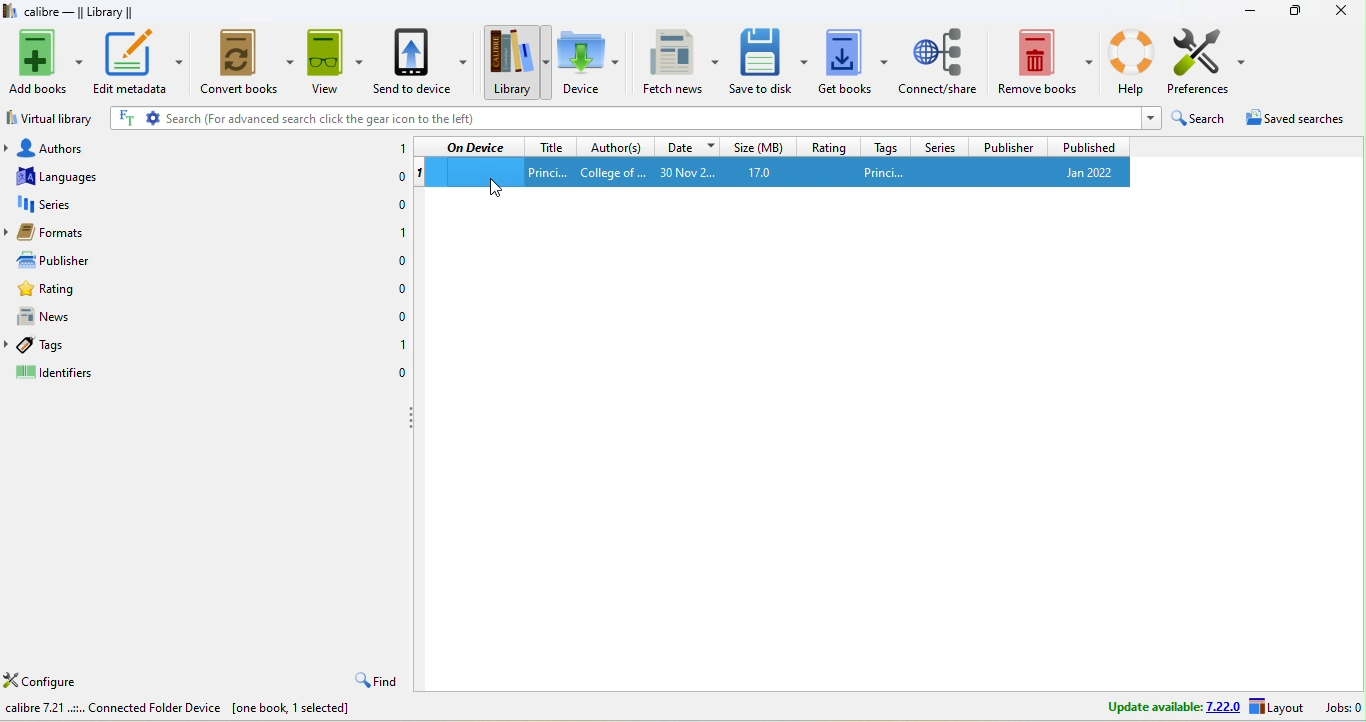  Describe the element at coordinates (69, 372) in the screenshot. I see `identifiers` at that location.